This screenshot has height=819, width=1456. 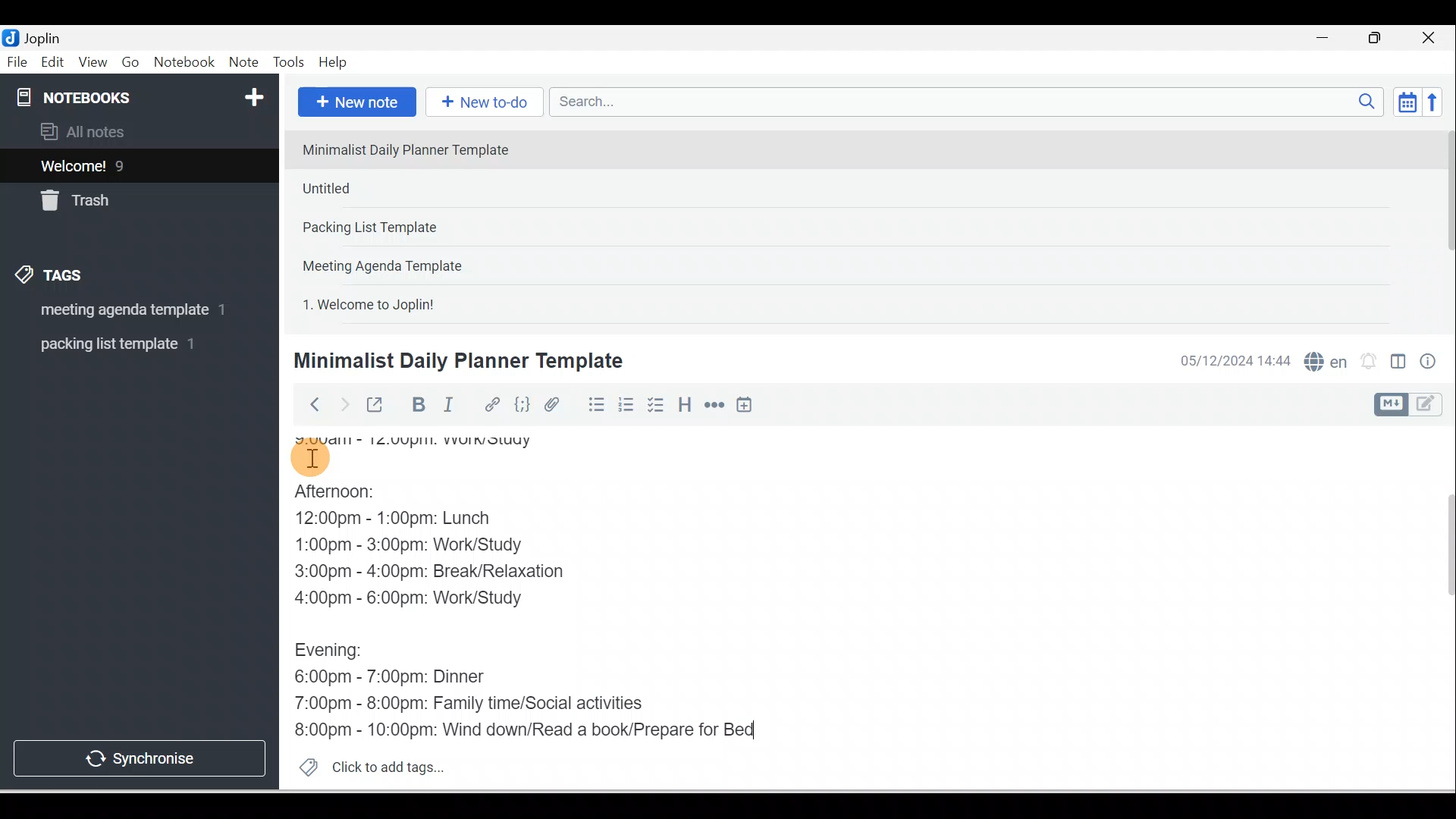 What do you see at coordinates (522, 406) in the screenshot?
I see `Code` at bounding box center [522, 406].